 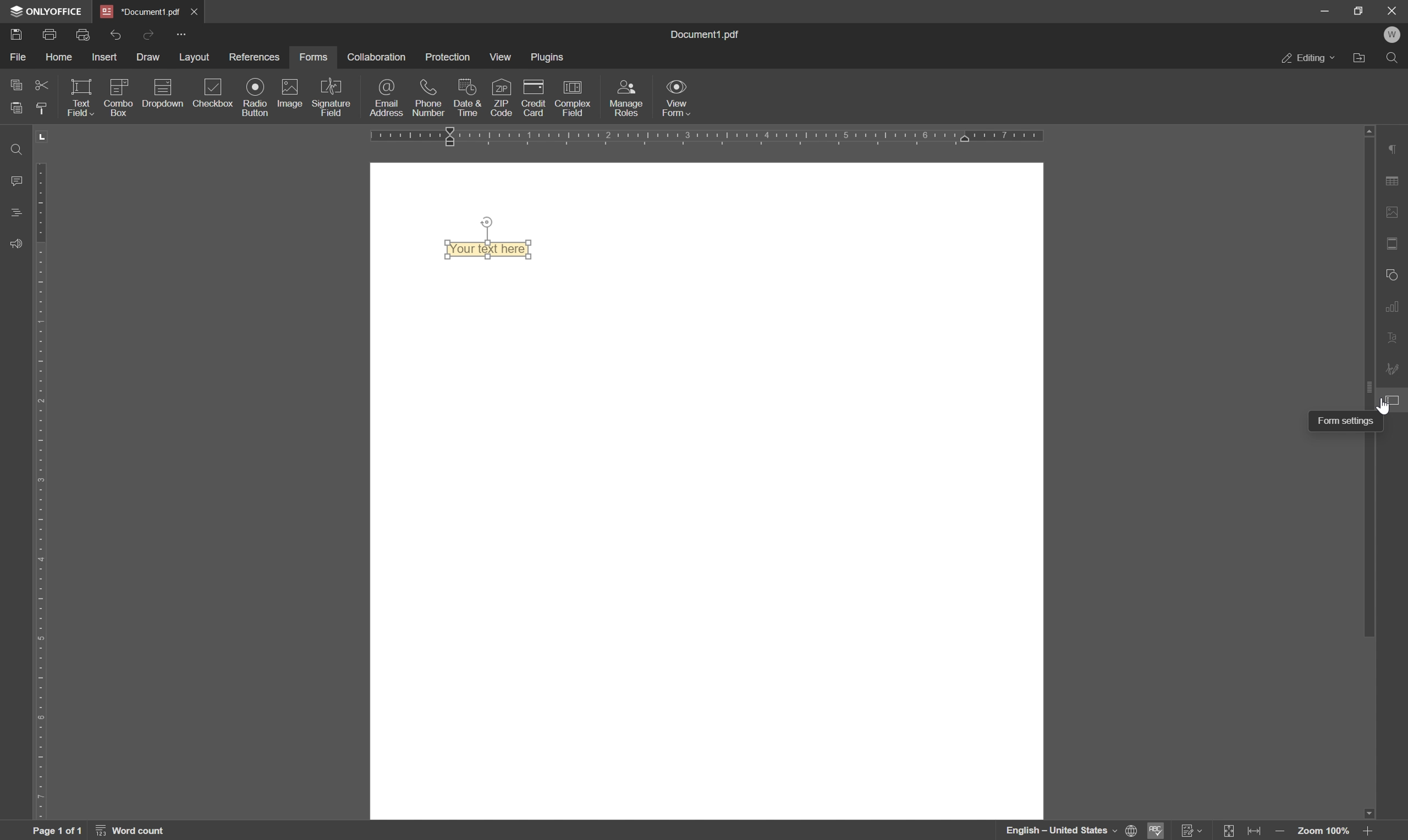 What do you see at coordinates (17, 57) in the screenshot?
I see `file` at bounding box center [17, 57].